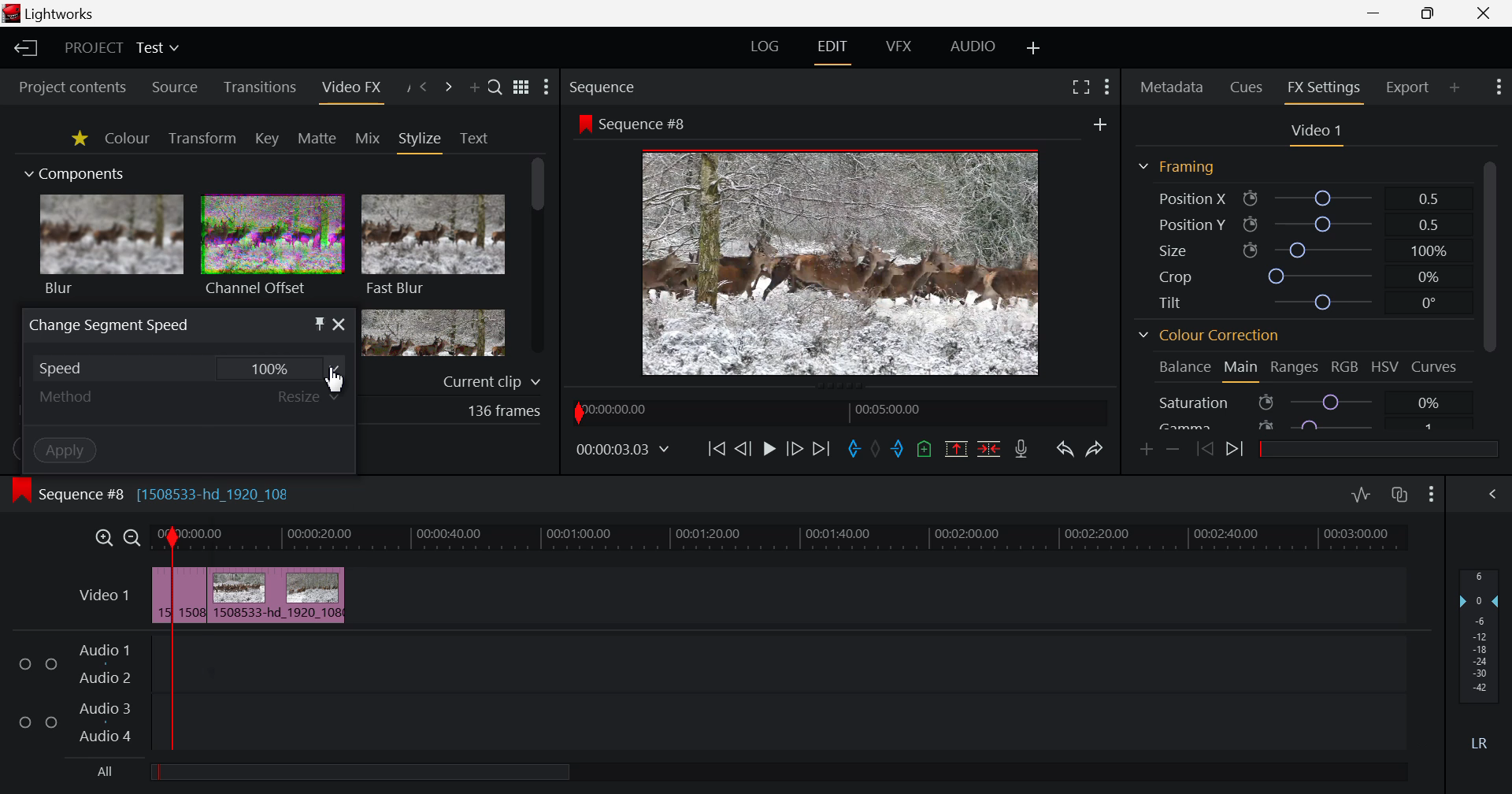 The height and width of the screenshot is (794, 1512). Describe the element at coordinates (495, 380) in the screenshot. I see `current clip` at that location.